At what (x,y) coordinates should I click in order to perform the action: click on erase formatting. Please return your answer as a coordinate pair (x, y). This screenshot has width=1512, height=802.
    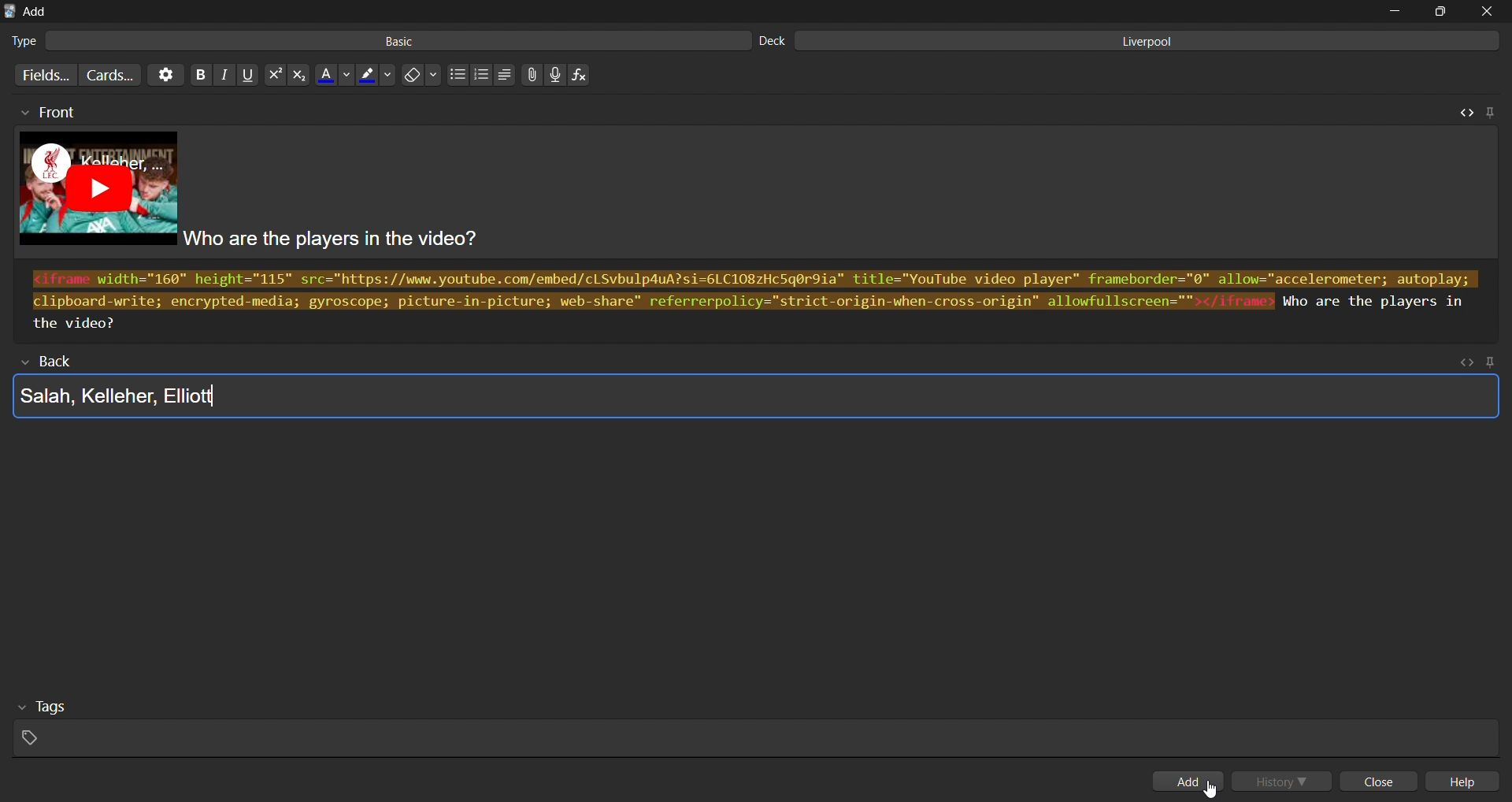
    Looking at the image, I should click on (424, 75).